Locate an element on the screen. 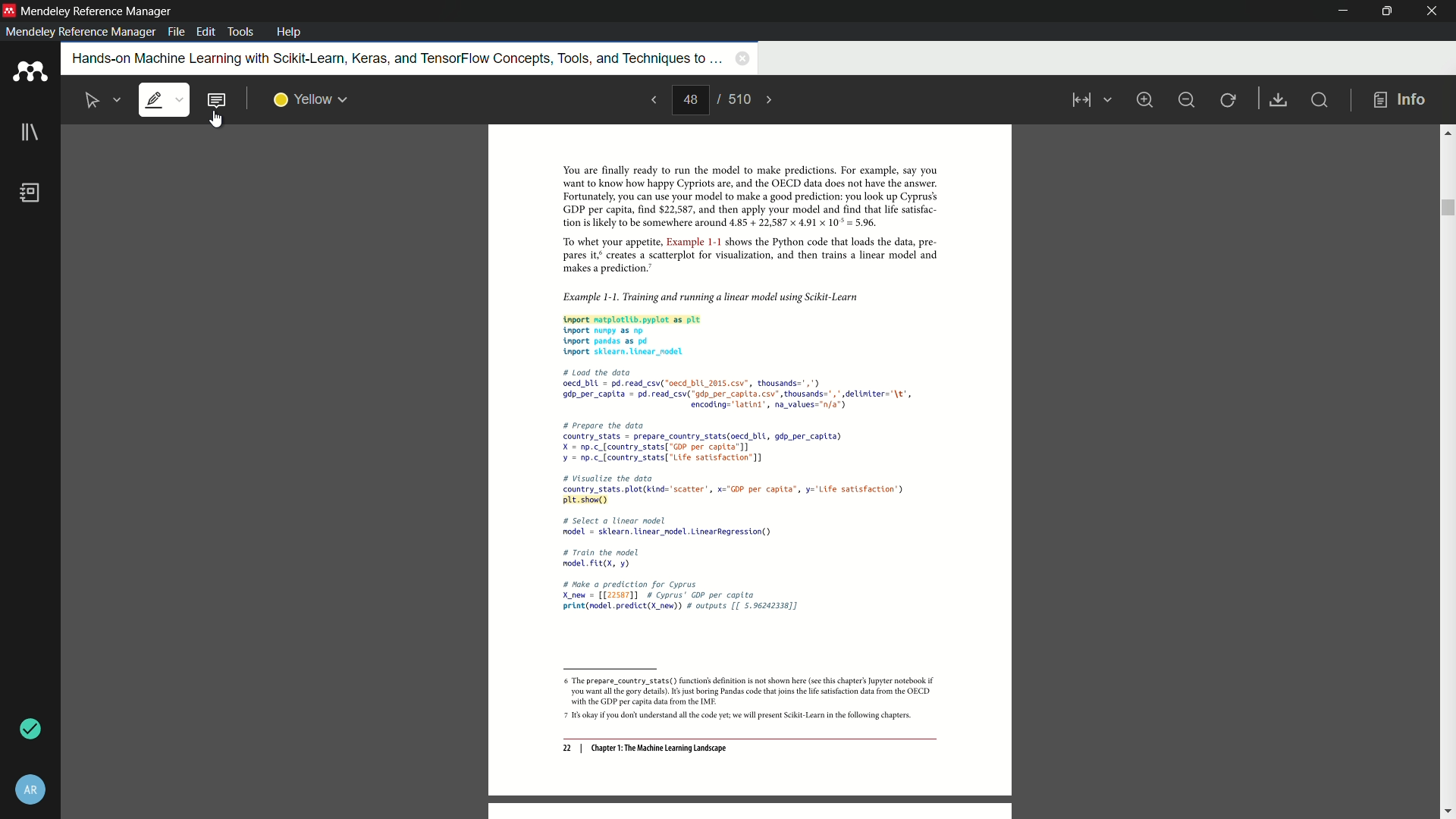  highlight text is selected is located at coordinates (163, 101).